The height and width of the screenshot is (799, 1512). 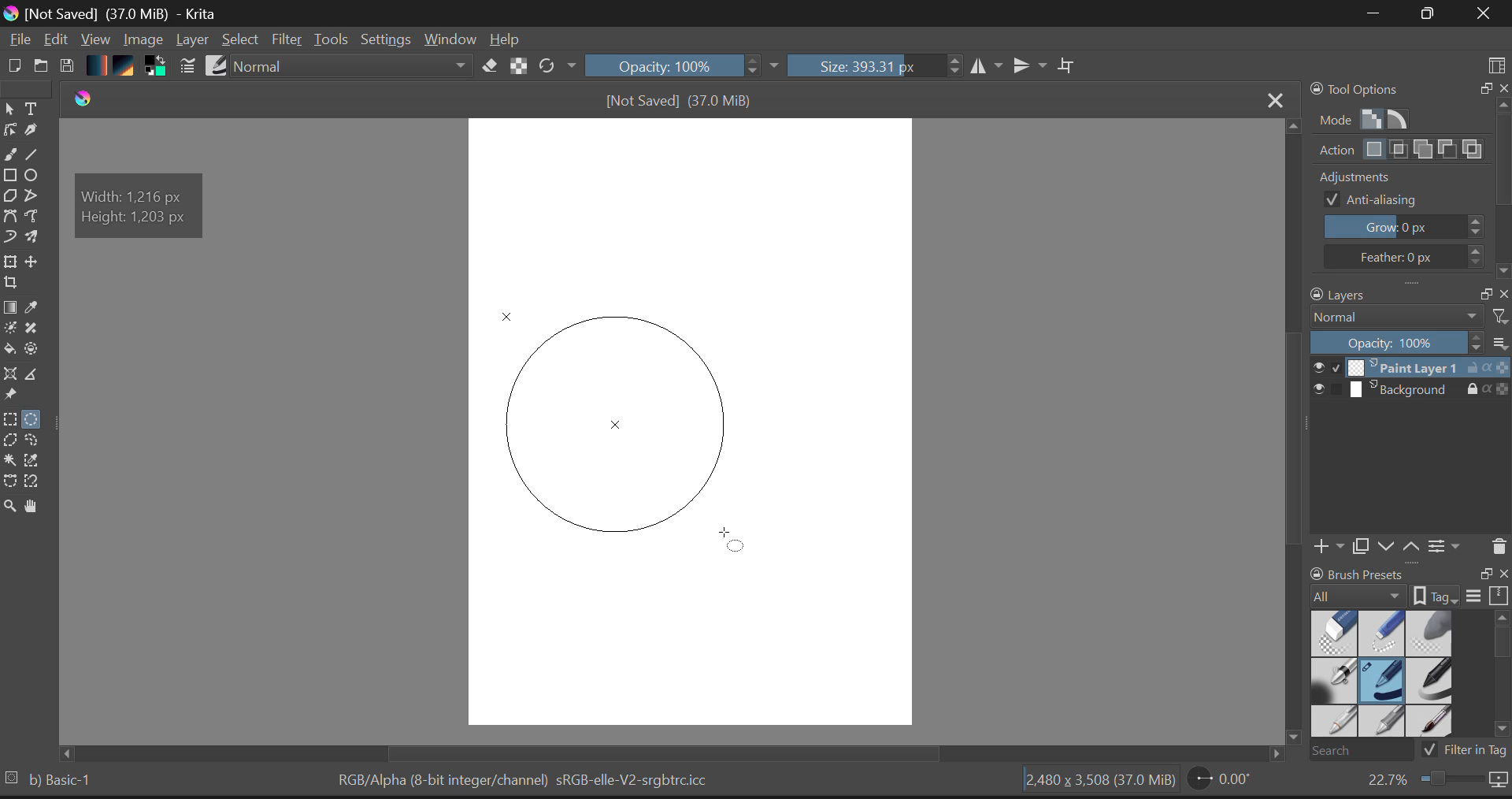 What do you see at coordinates (1221, 782) in the screenshot?
I see `Page Rotation` at bounding box center [1221, 782].